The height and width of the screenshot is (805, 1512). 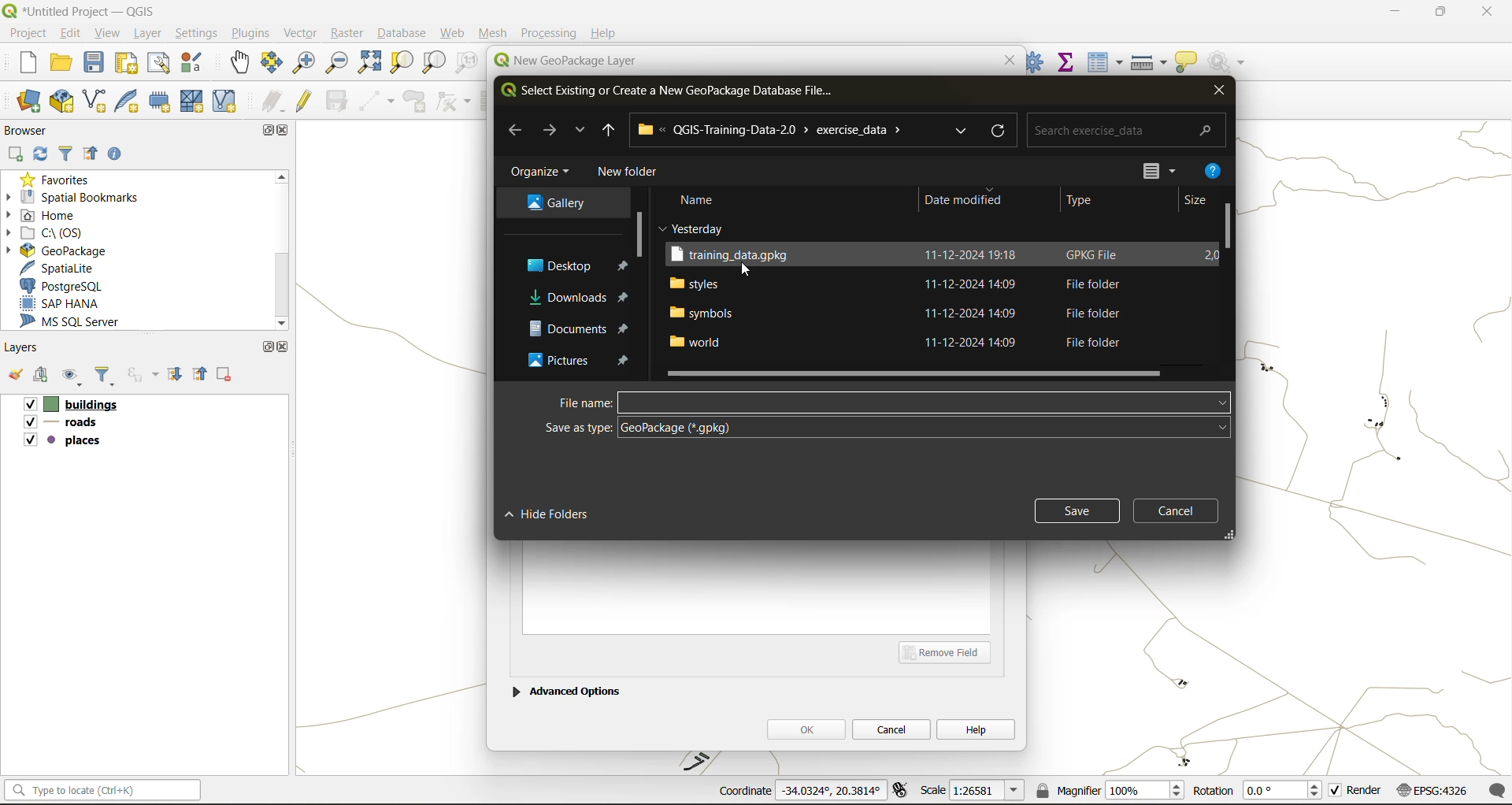 What do you see at coordinates (59, 178) in the screenshot?
I see `favorites` at bounding box center [59, 178].